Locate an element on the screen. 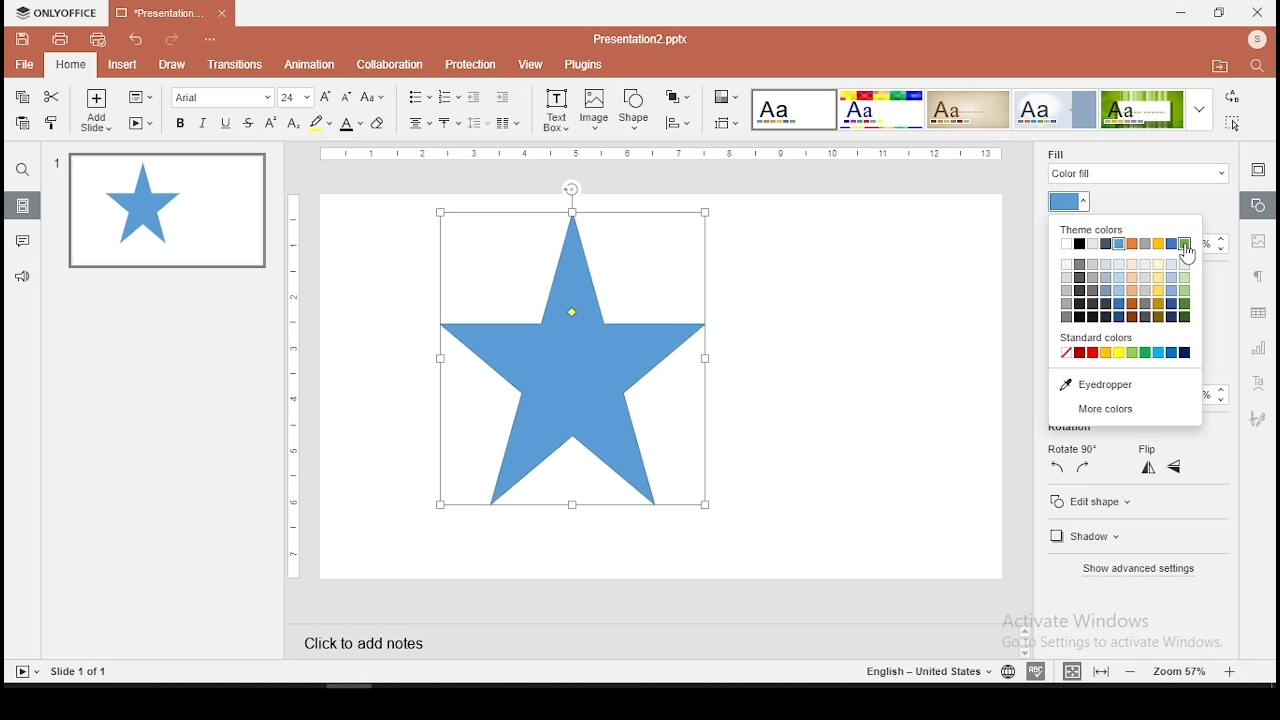  slide 1 of 1 is located at coordinates (81, 671).